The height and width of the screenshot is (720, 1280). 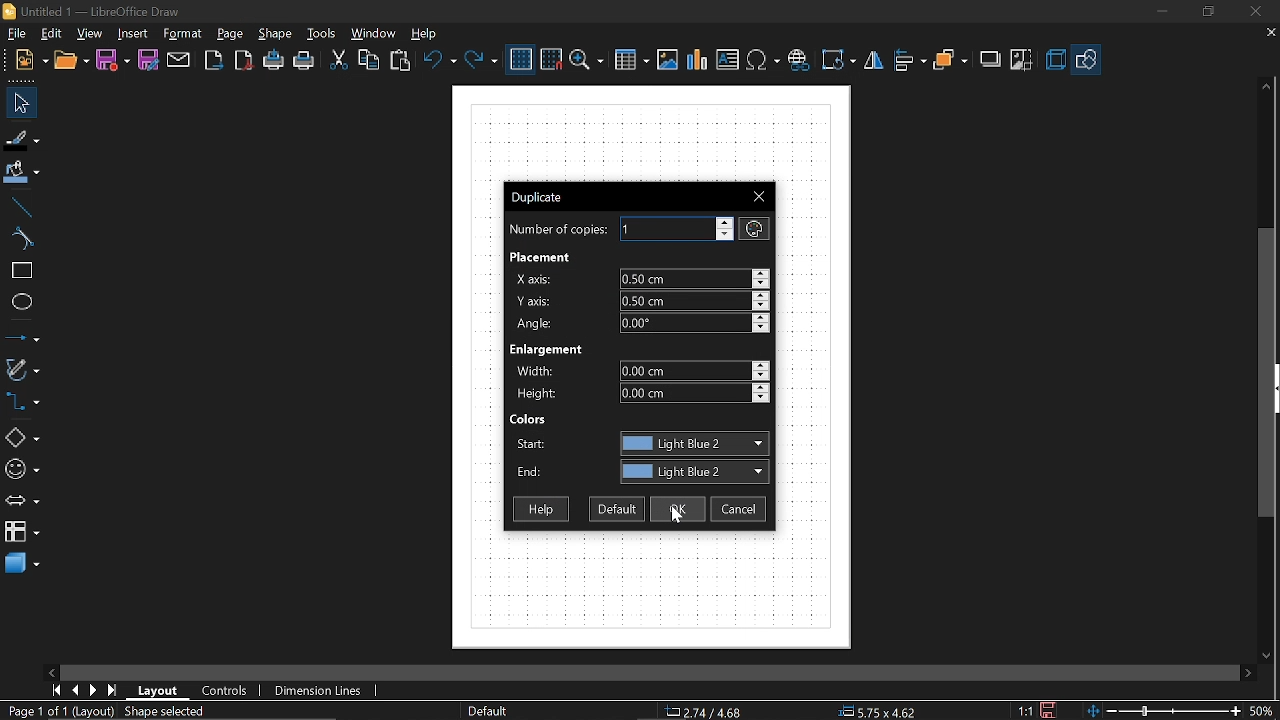 I want to click on Angles, so click(x=698, y=323).